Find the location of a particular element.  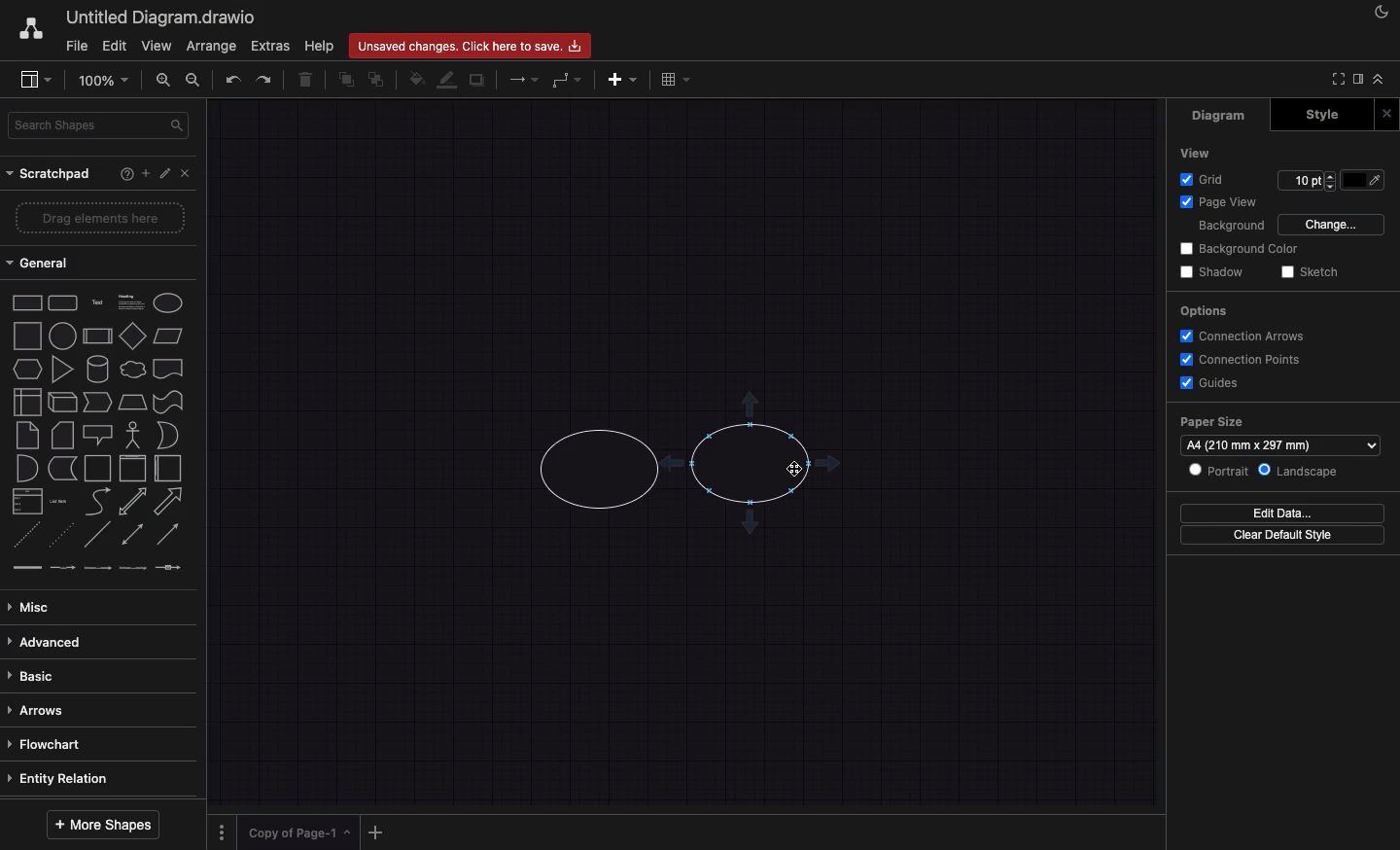

advanced is located at coordinates (95, 641).